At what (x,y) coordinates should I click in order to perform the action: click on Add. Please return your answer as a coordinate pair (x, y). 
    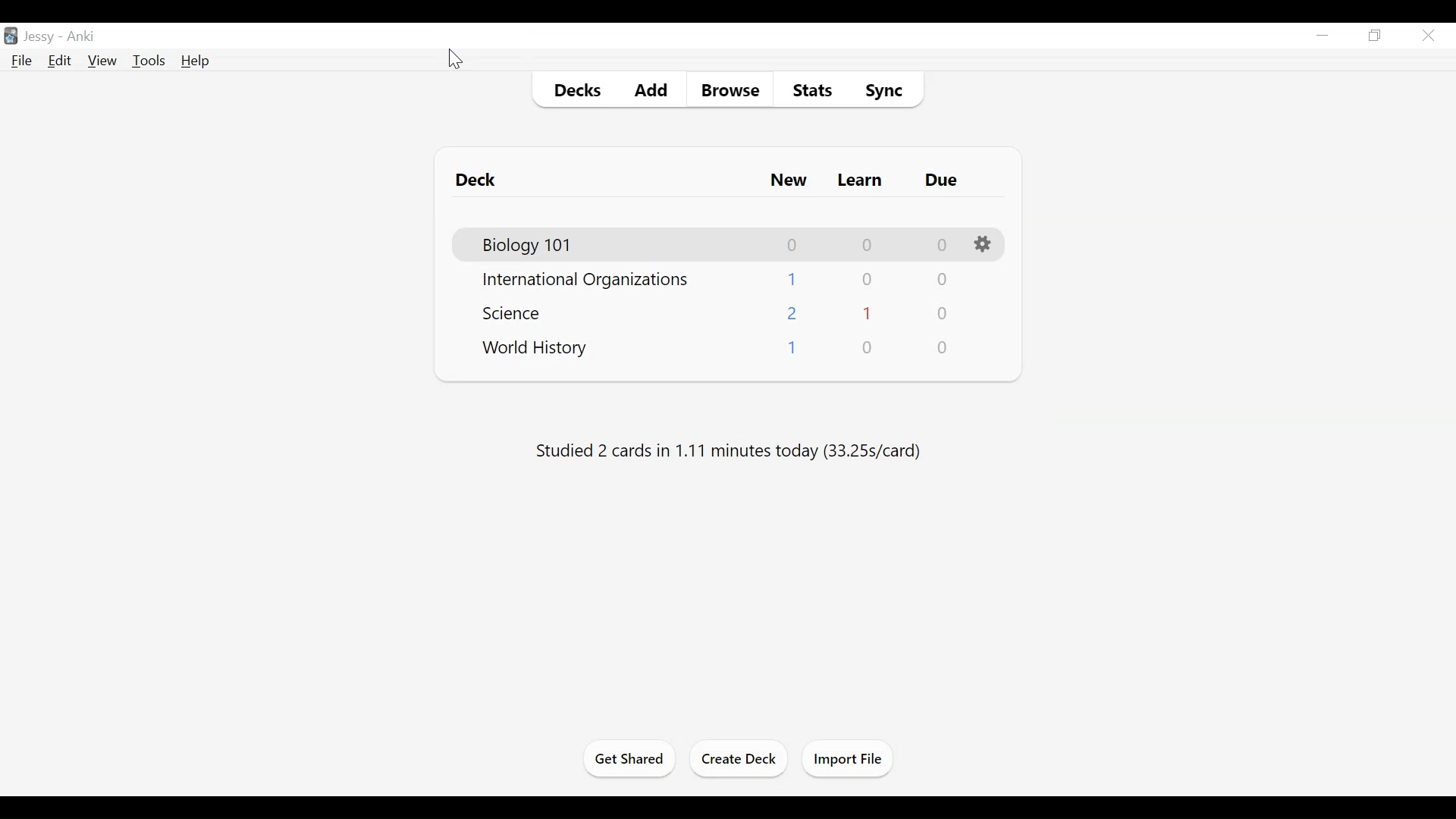
    Looking at the image, I should click on (649, 89).